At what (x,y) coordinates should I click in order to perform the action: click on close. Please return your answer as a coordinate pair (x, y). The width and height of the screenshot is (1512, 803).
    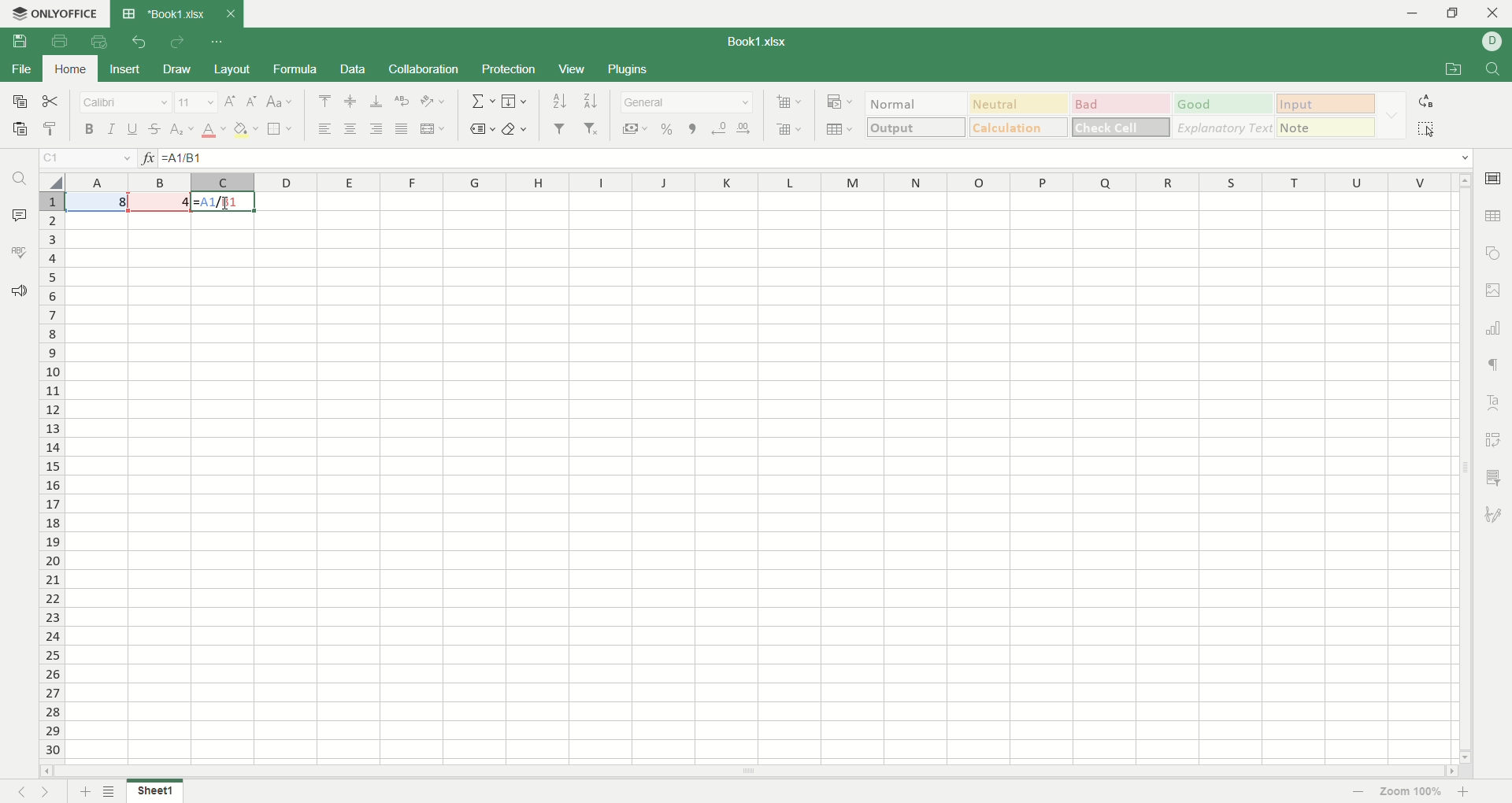
    Looking at the image, I should click on (230, 14).